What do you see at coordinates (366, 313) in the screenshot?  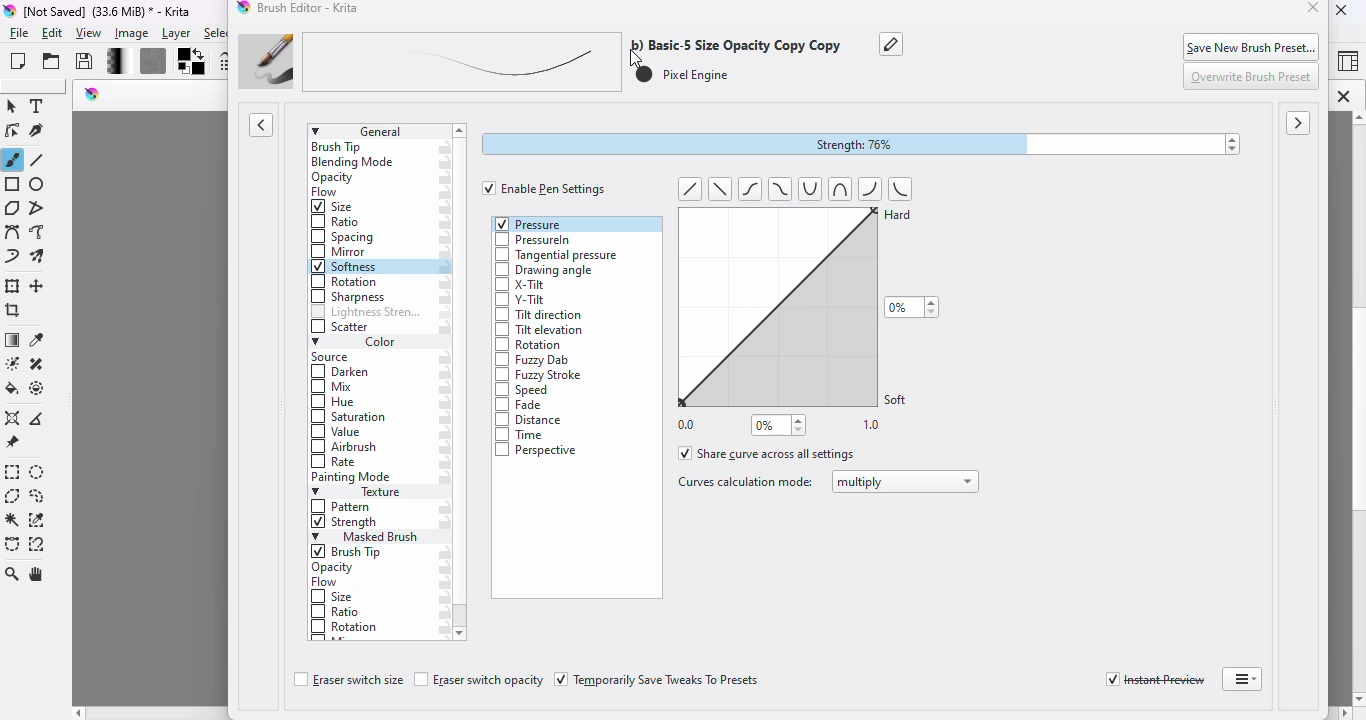 I see `lightness strength` at bounding box center [366, 313].